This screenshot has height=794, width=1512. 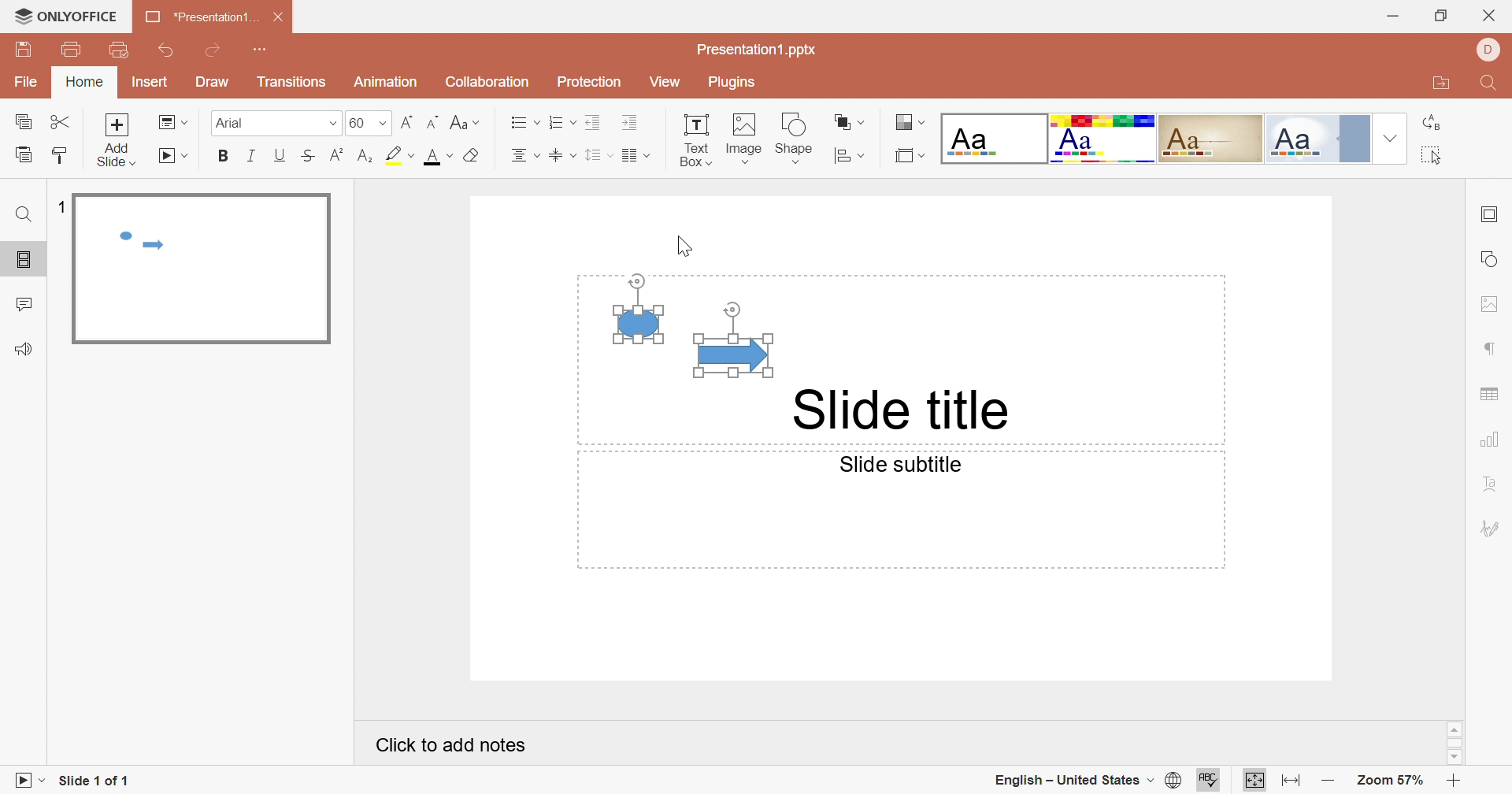 What do you see at coordinates (558, 157) in the screenshot?
I see `Align Text to the middle` at bounding box center [558, 157].